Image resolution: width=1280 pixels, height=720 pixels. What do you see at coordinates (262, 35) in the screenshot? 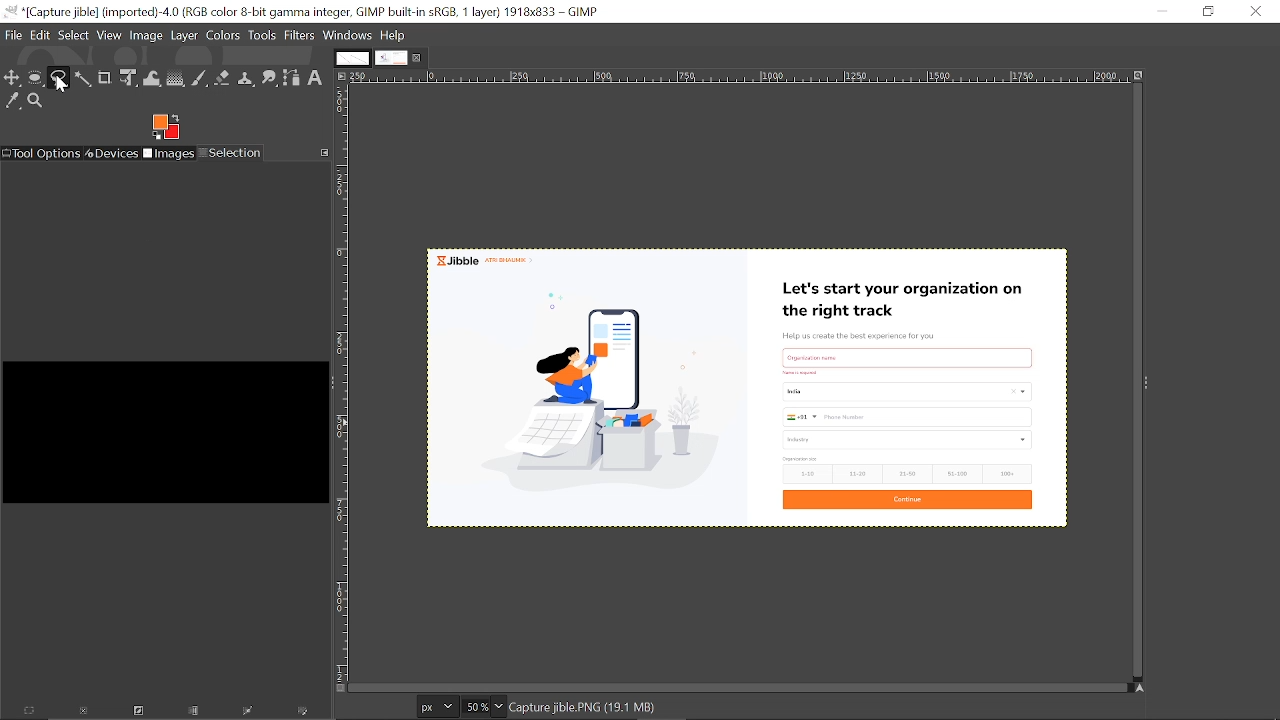
I see `` at bounding box center [262, 35].